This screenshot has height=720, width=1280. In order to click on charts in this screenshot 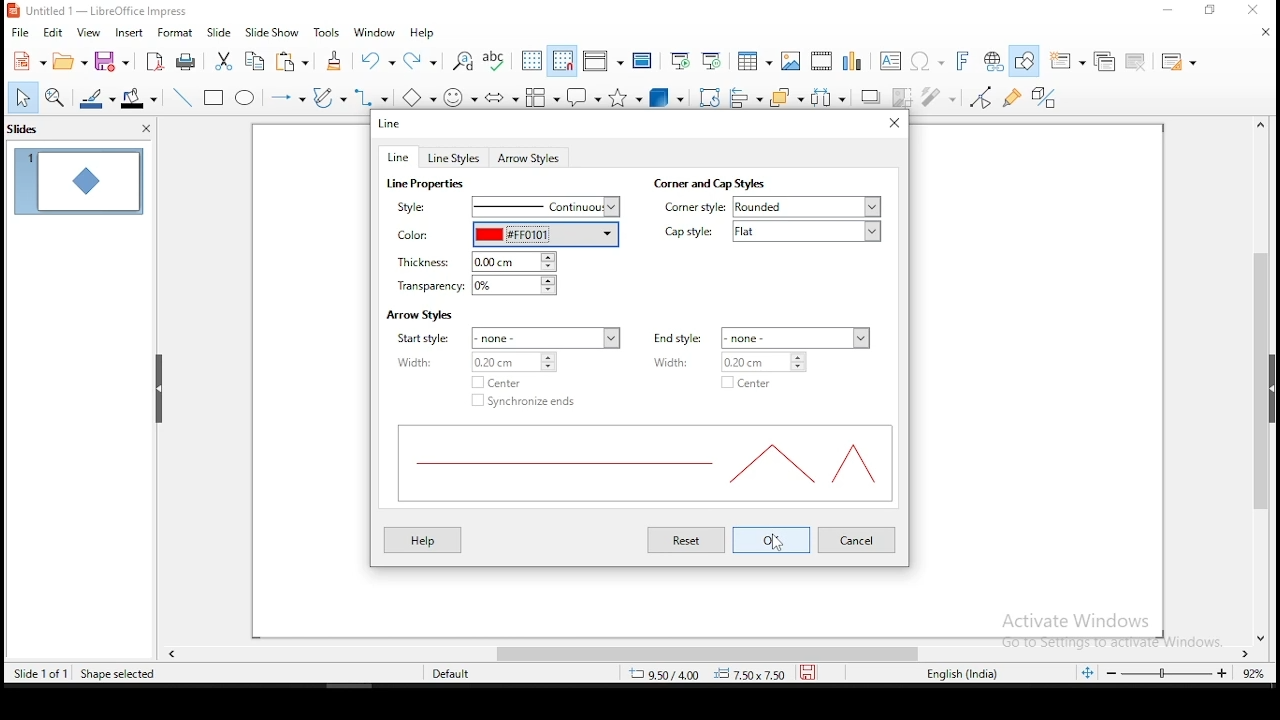, I will do `click(857, 59)`.